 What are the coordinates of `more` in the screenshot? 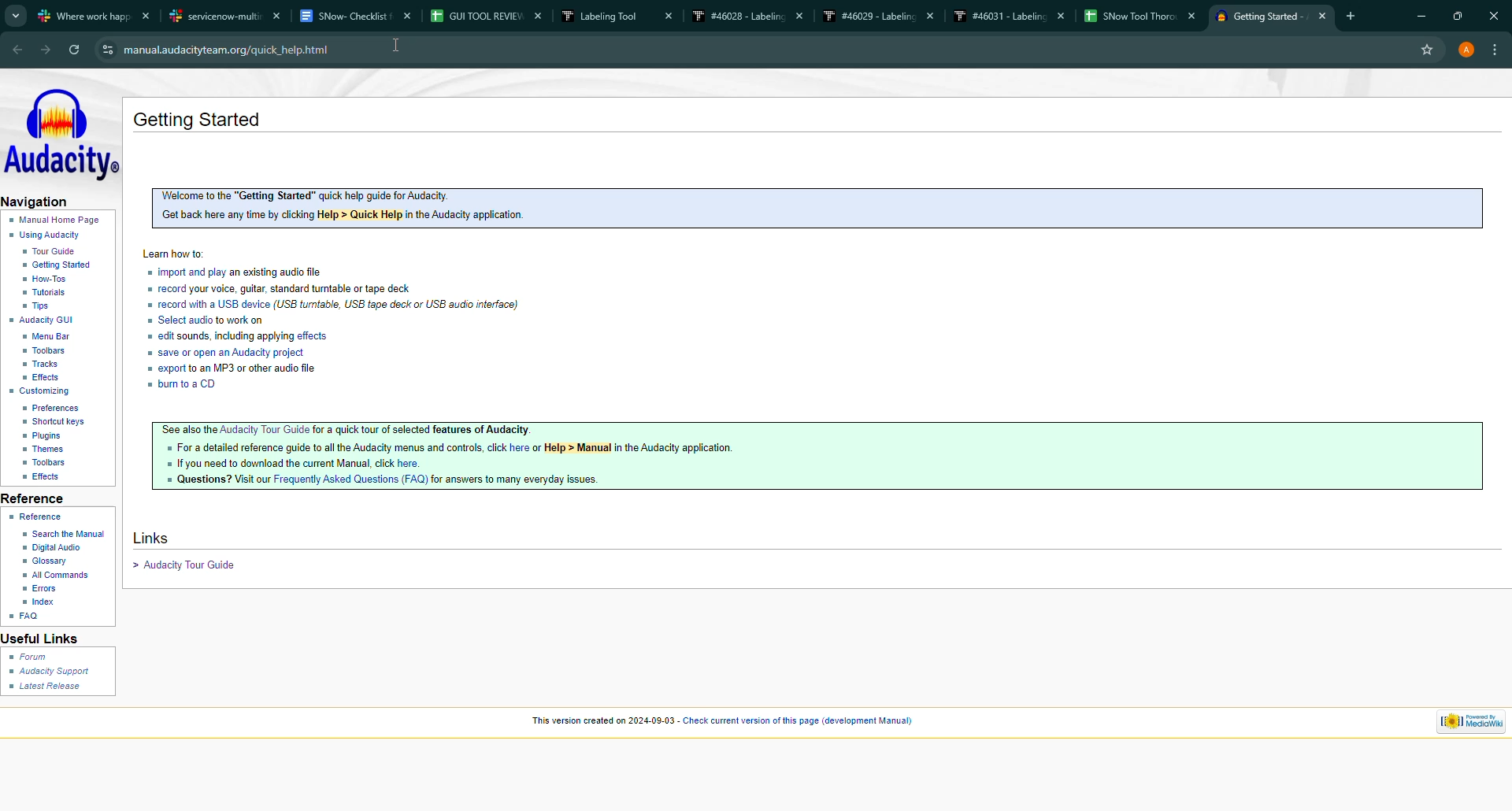 It's located at (1495, 50).